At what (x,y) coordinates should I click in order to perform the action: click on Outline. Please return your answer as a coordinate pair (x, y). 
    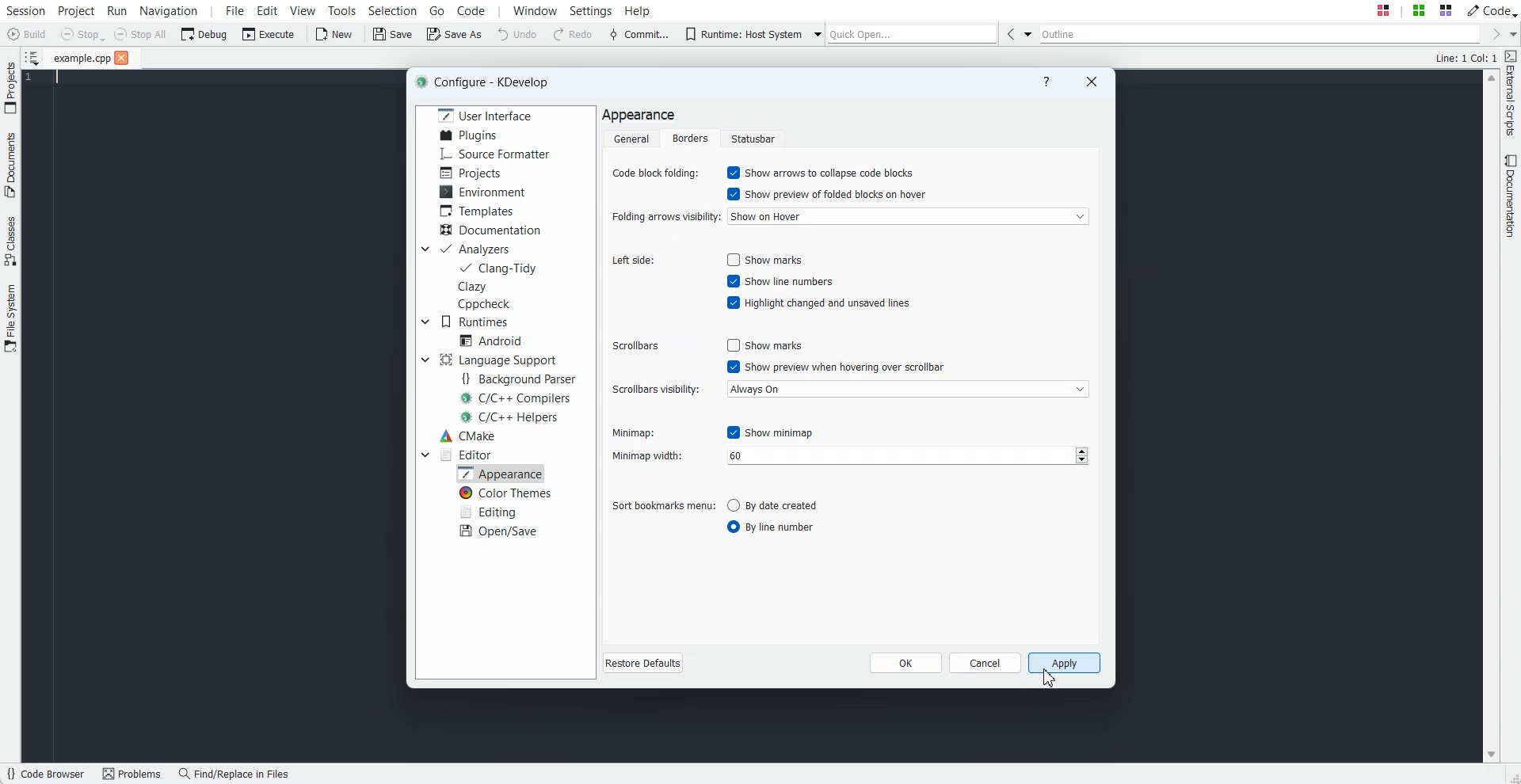
    Looking at the image, I should click on (1259, 33).